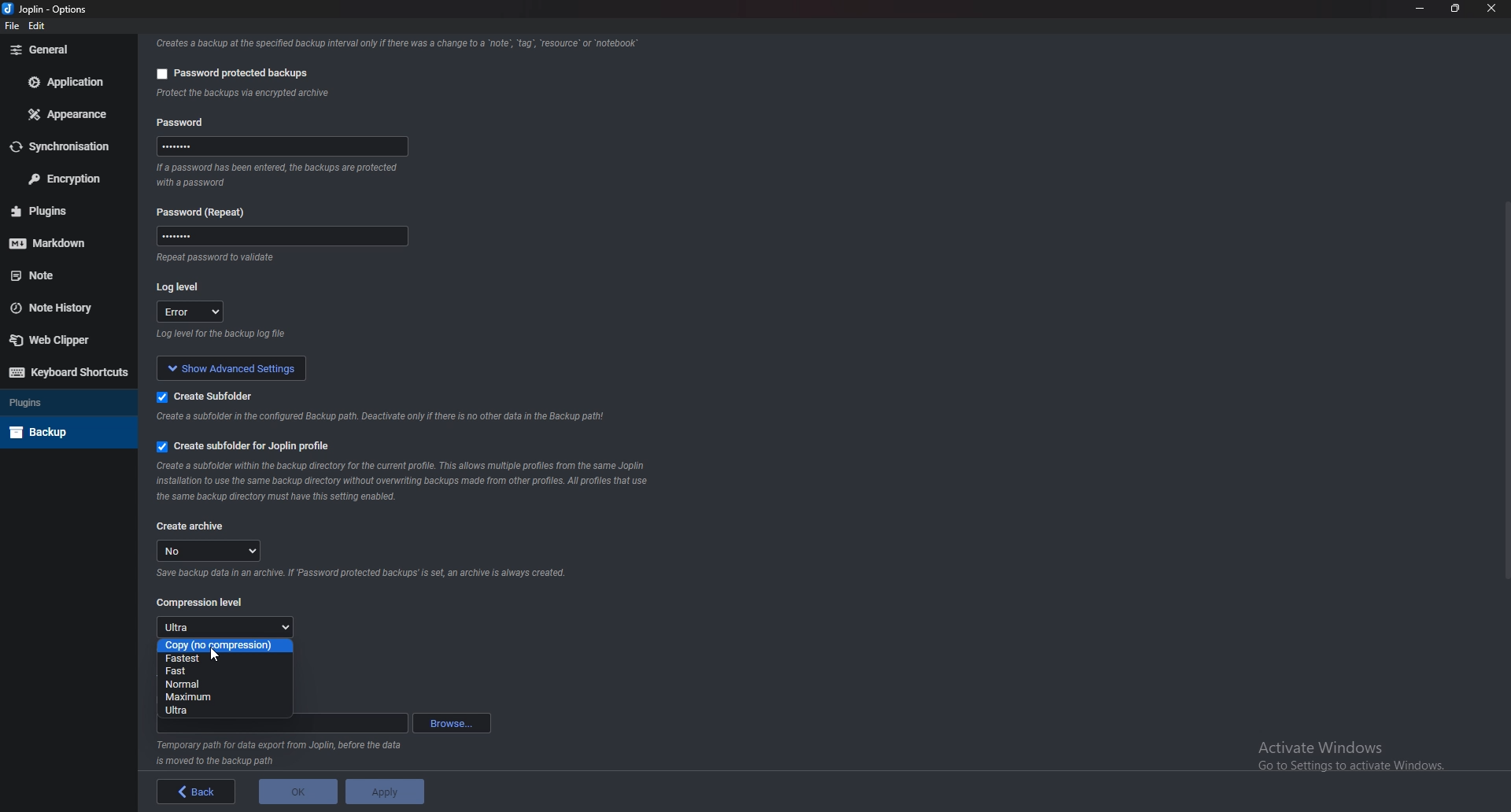 The height and width of the screenshot is (812, 1511). What do you see at coordinates (220, 655) in the screenshot?
I see `cursor` at bounding box center [220, 655].